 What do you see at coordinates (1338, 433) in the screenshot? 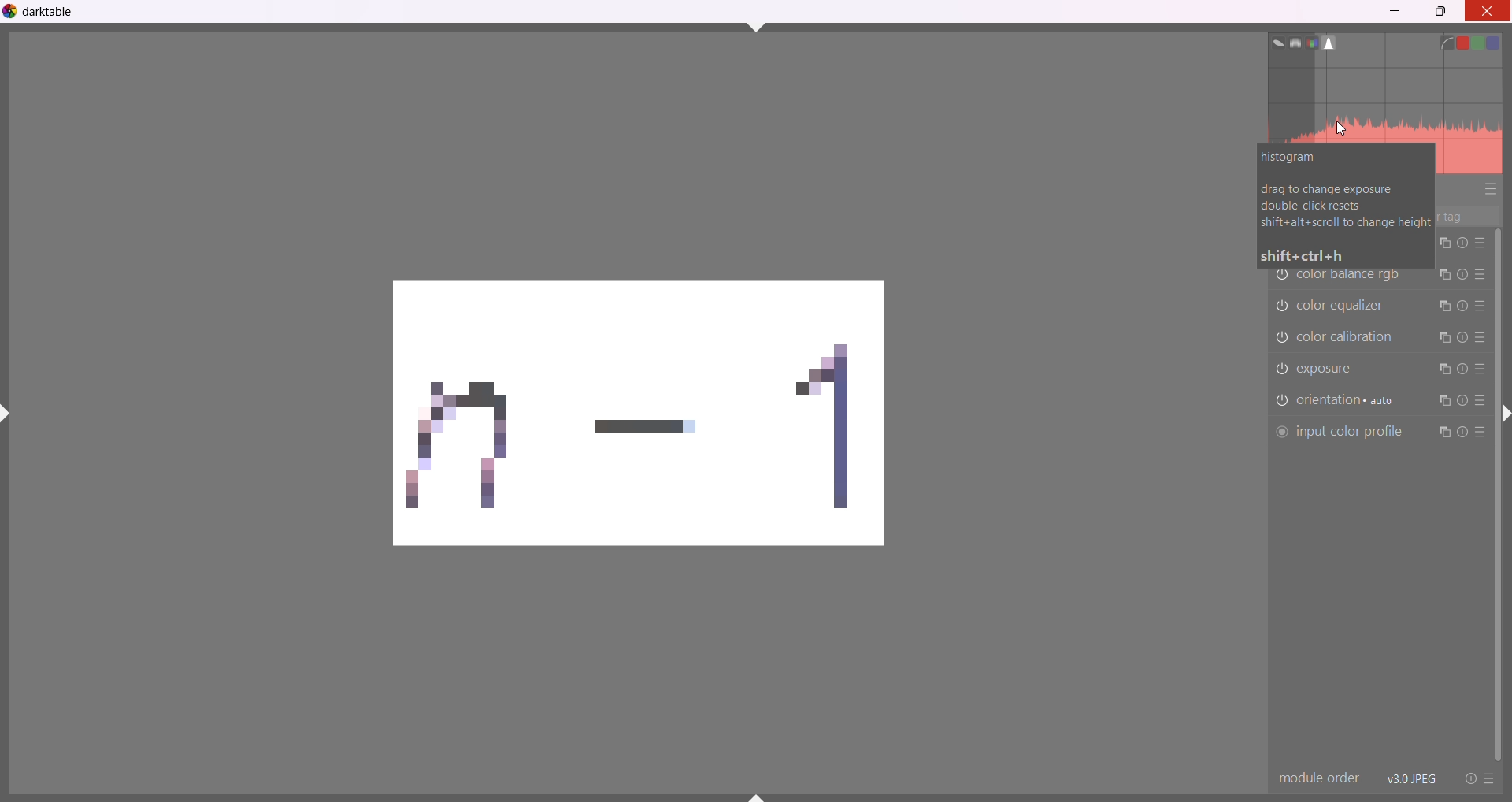
I see `input color profile` at bounding box center [1338, 433].